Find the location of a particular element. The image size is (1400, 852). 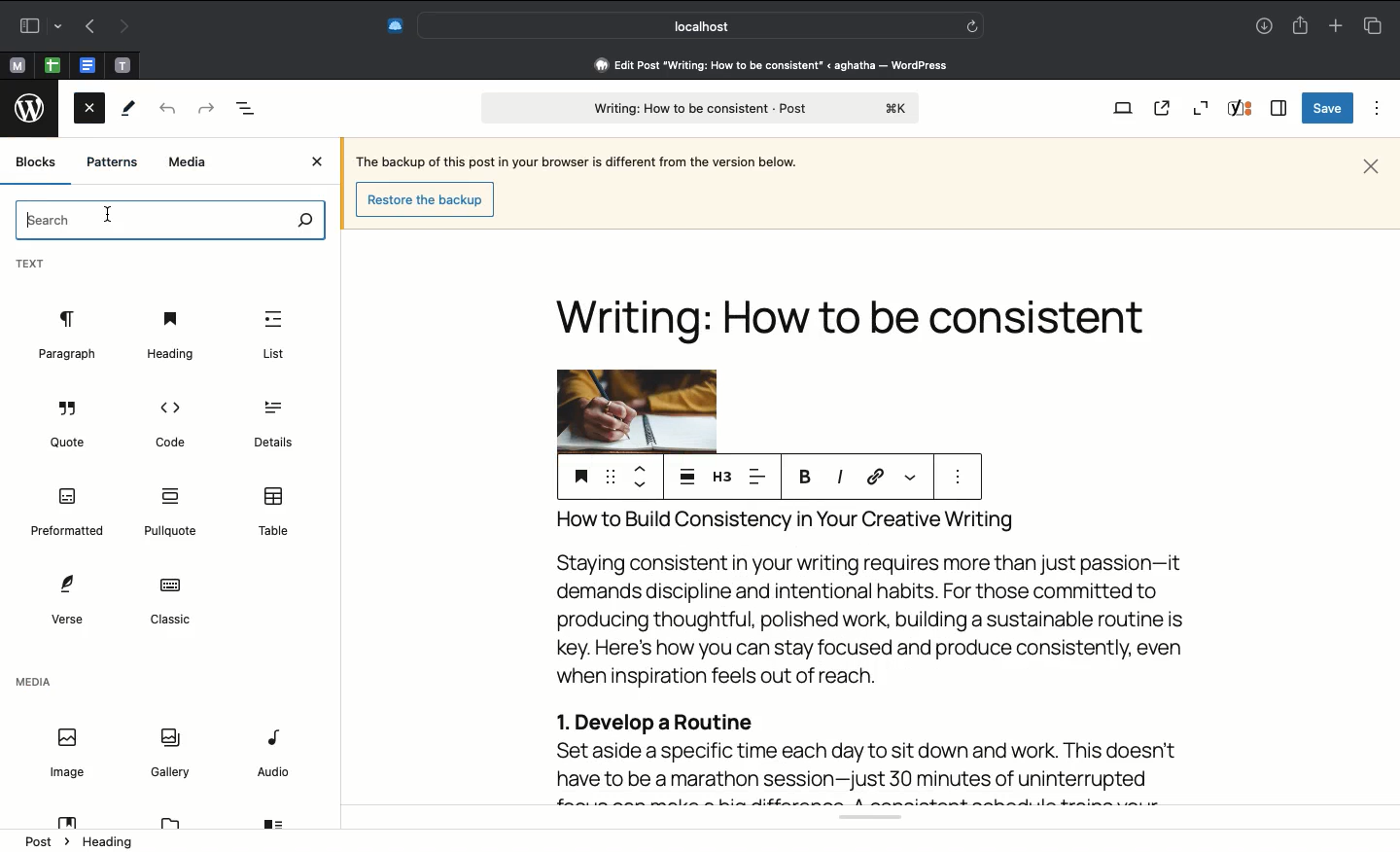

Preformatted is located at coordinates (68, 513).